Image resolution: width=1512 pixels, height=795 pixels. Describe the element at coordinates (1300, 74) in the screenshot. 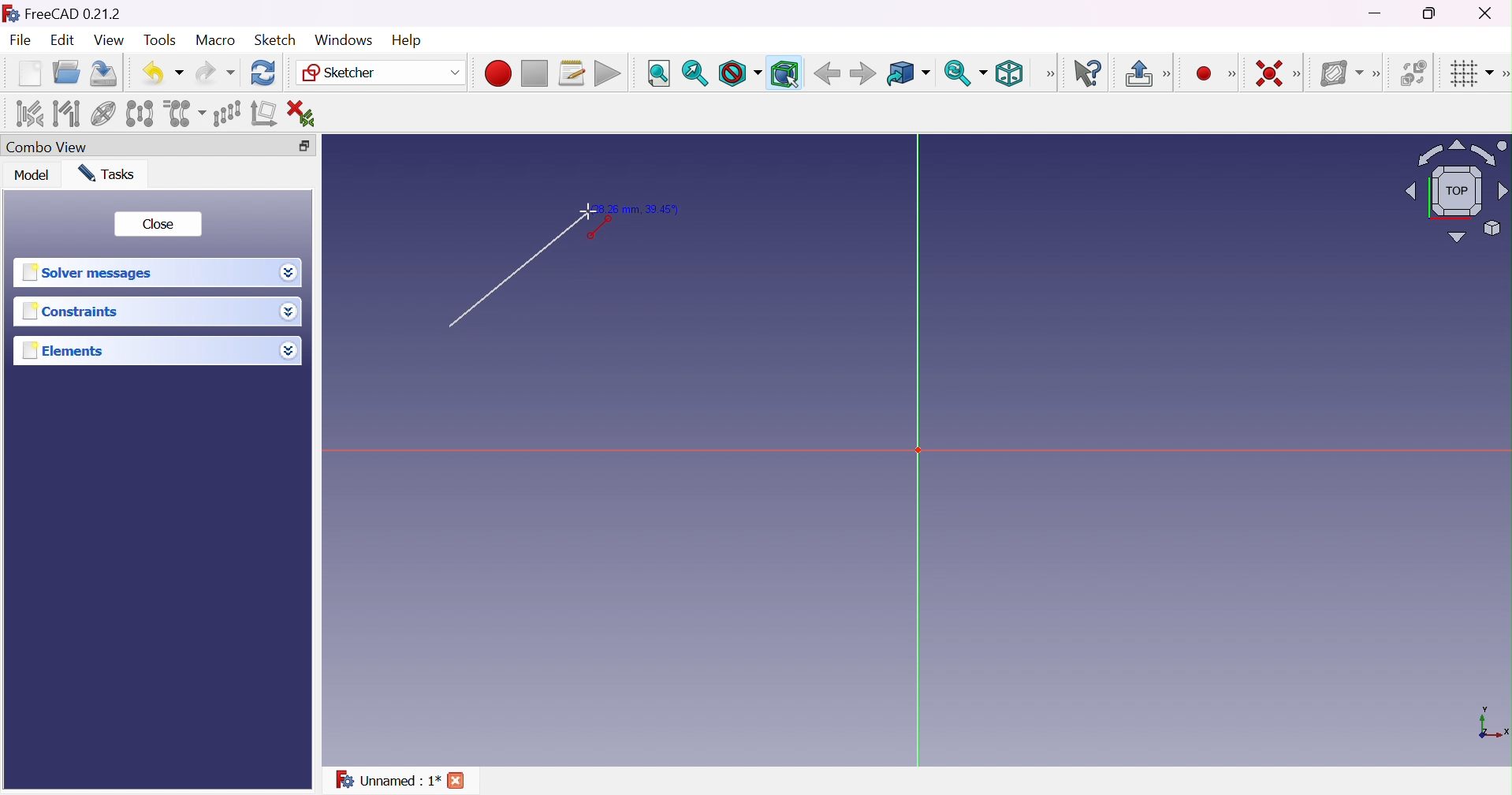

I see `[Sketcher constraints]` at that location.